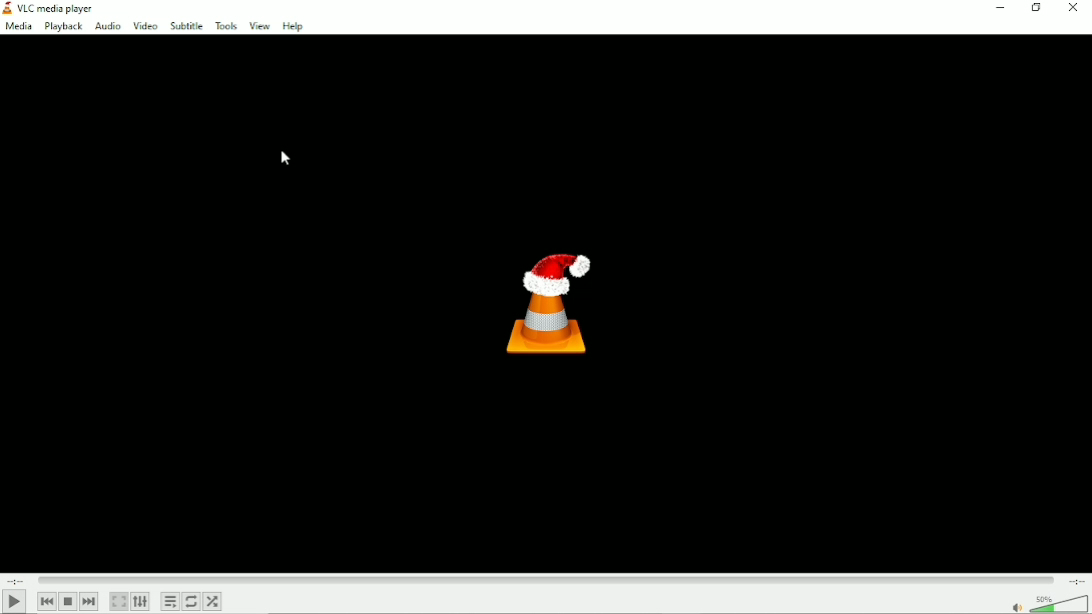  I want to click on Play, so click(12, 602).